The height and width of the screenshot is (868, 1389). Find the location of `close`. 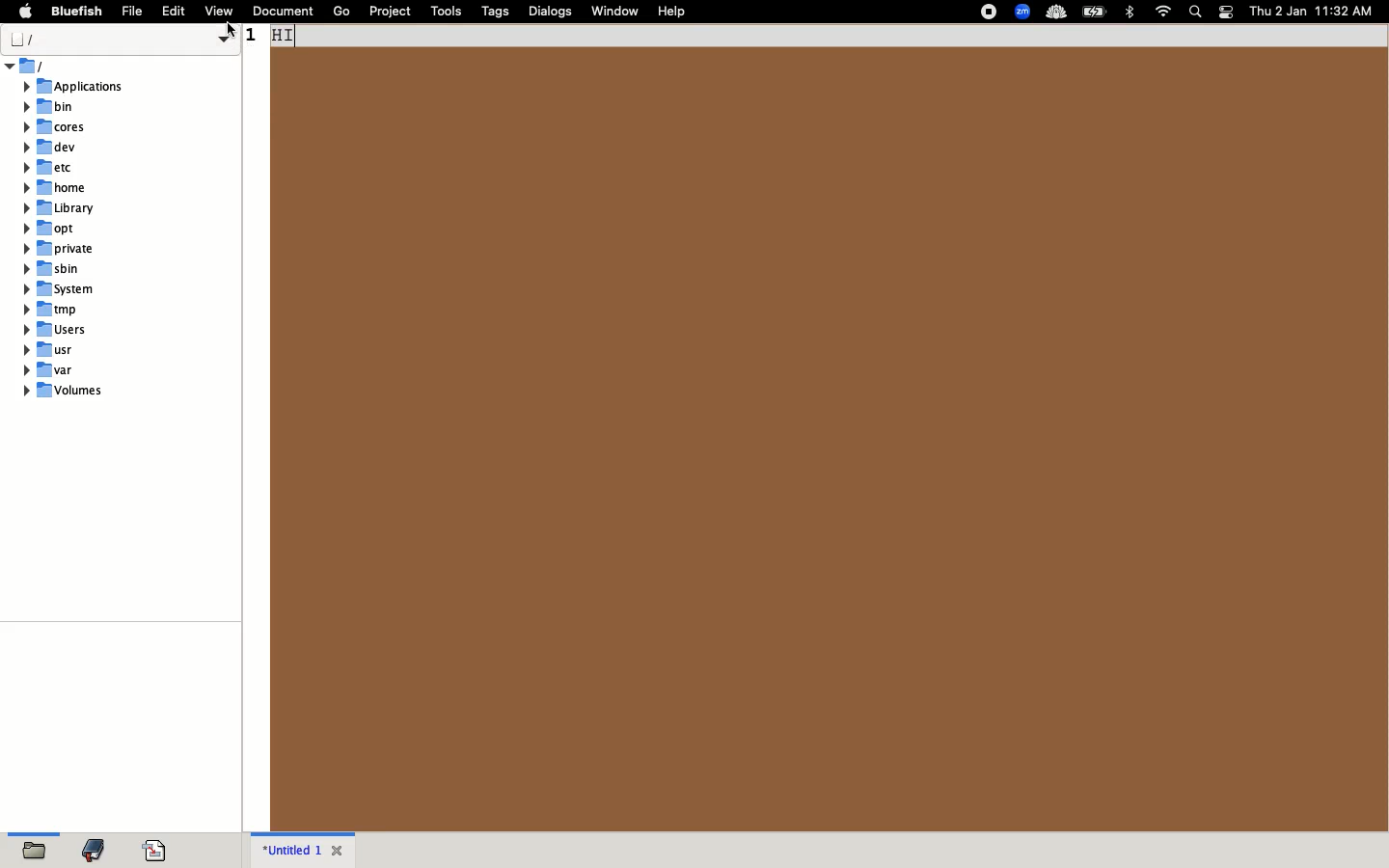

close is located at coordinates (342, 849).